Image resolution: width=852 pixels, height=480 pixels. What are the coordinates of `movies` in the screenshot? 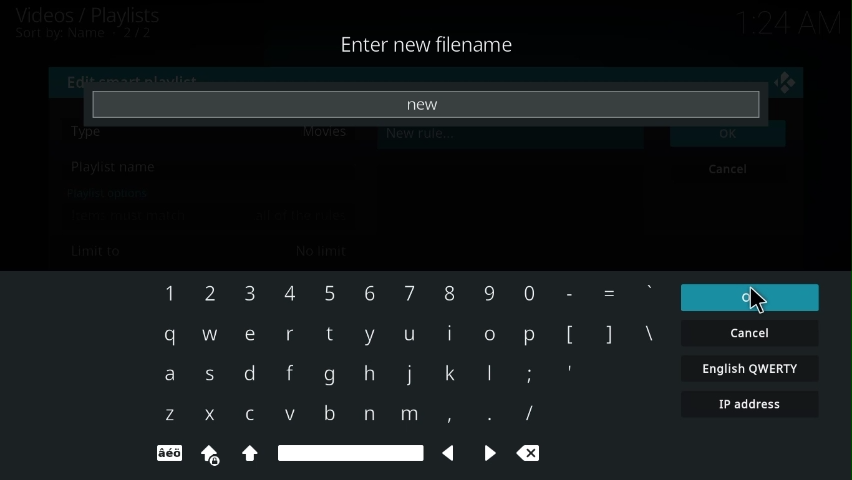 It's located at (325, 131).